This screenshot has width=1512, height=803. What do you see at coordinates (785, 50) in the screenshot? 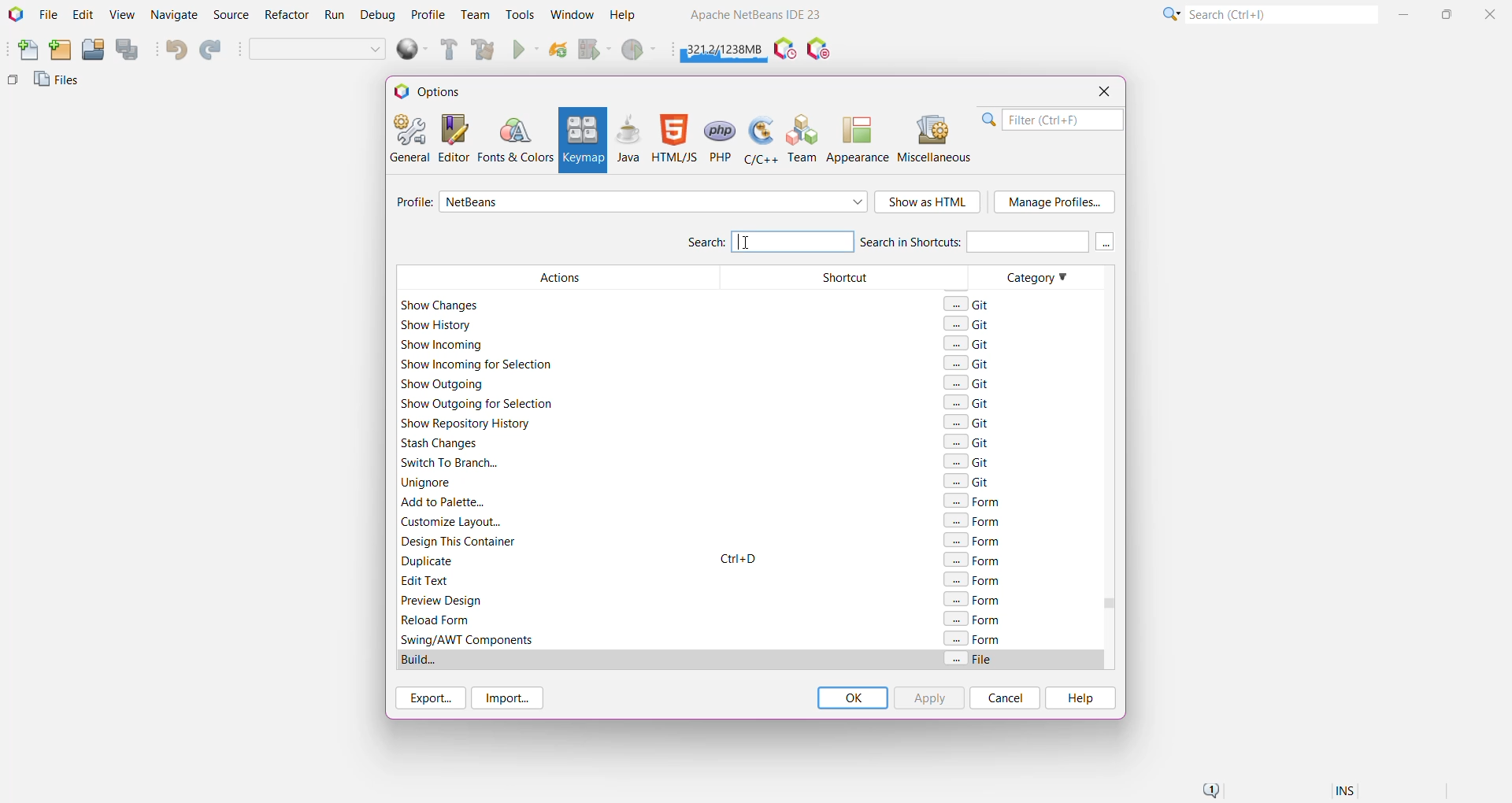
I see `Pause IDE profiling and take a Snapshot` at bounding box center [785, 50].